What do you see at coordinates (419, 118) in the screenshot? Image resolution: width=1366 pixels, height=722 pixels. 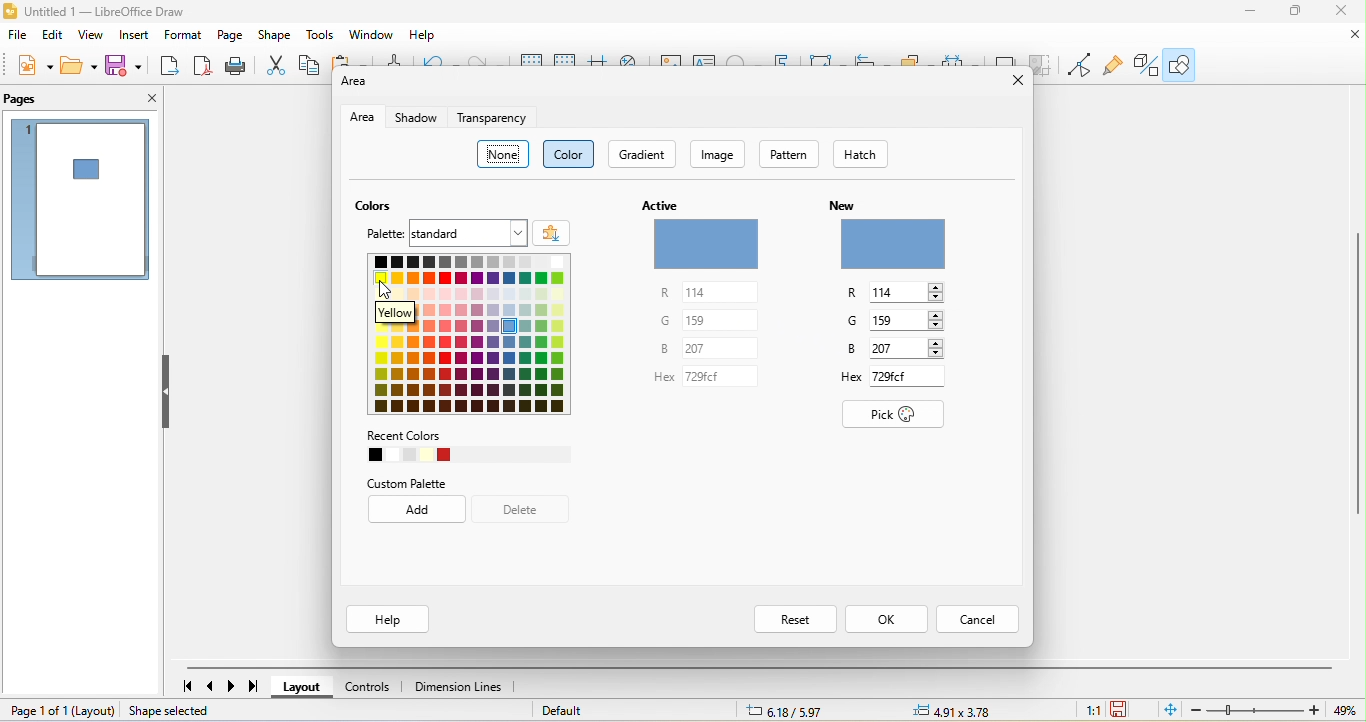 I see `shadow` at bounding box center [419, 118].